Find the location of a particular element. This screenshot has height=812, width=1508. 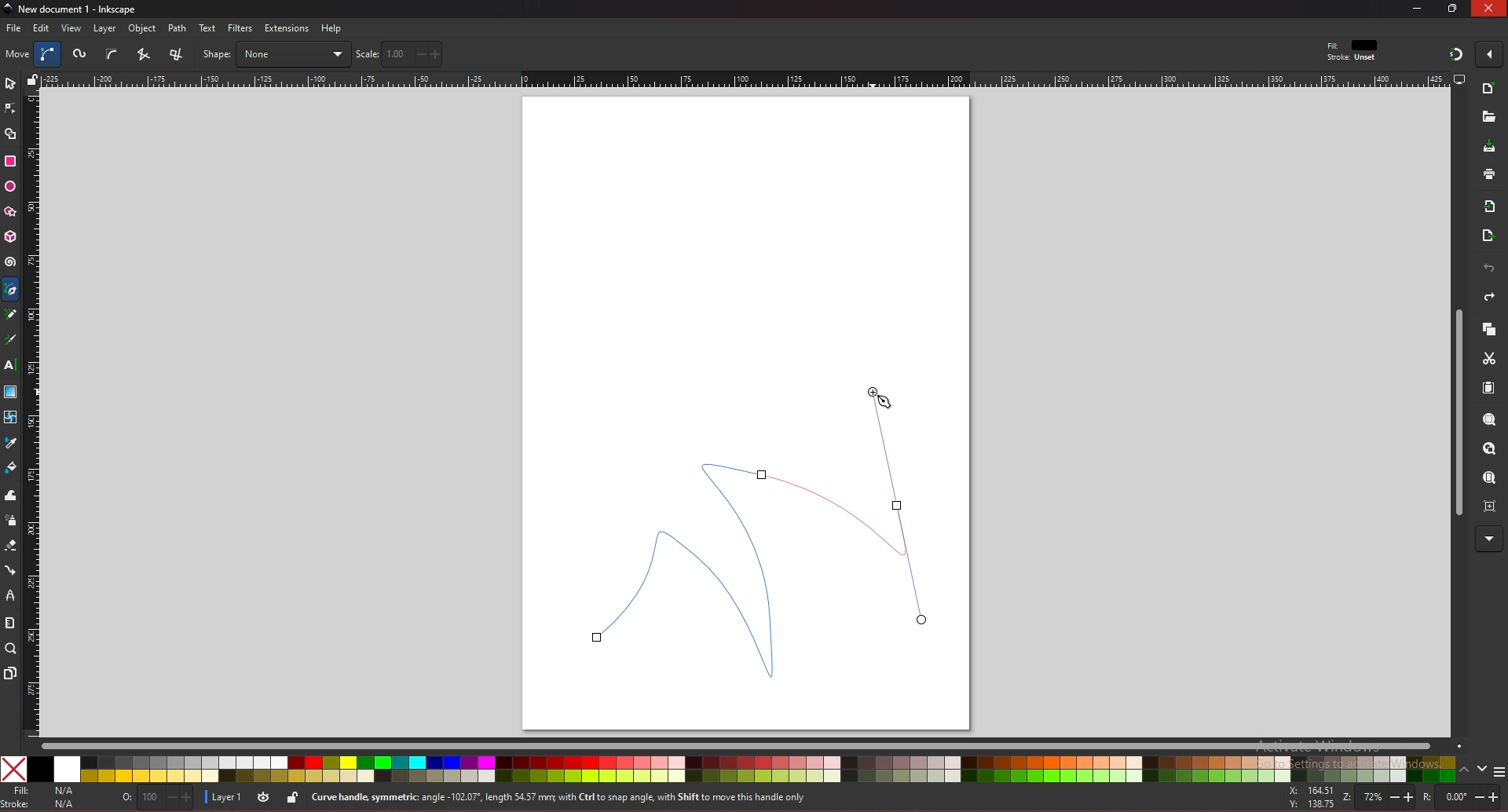

spray is located at coordinates (10, 521).